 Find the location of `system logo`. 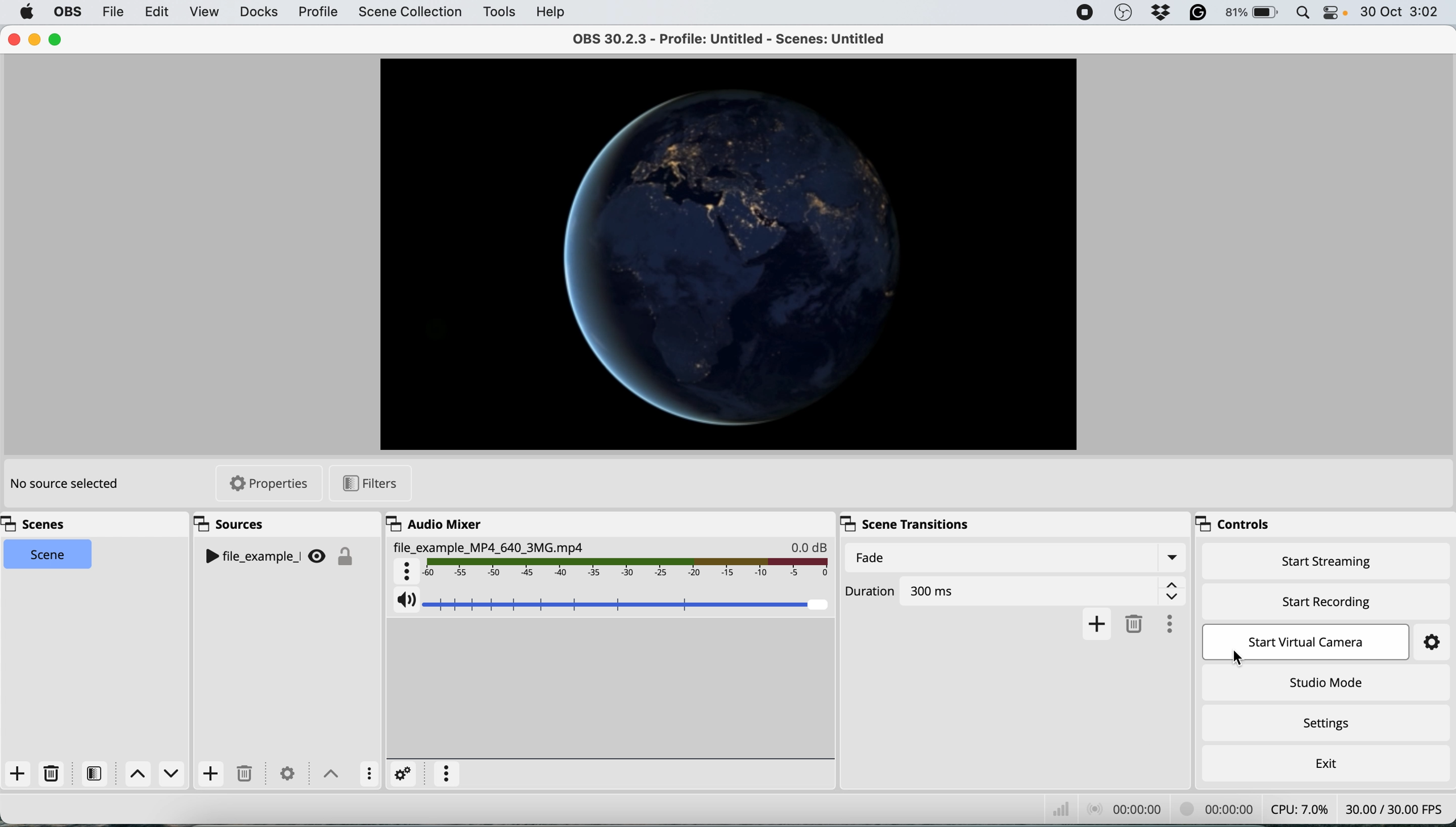

system logo is located at coordinates (27, 12).